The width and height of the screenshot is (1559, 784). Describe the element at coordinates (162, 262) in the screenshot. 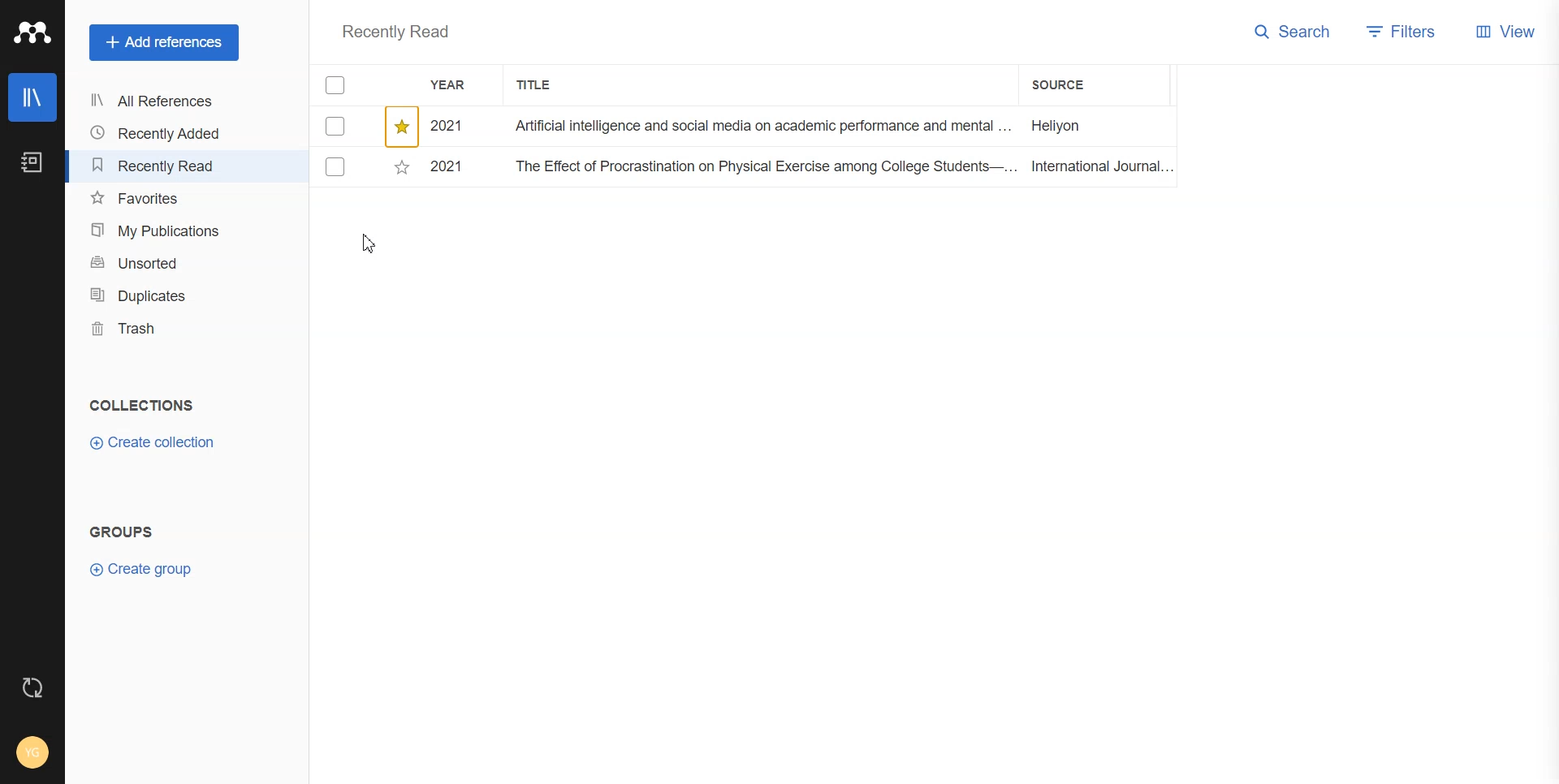

I see `Unsorted` at that location.